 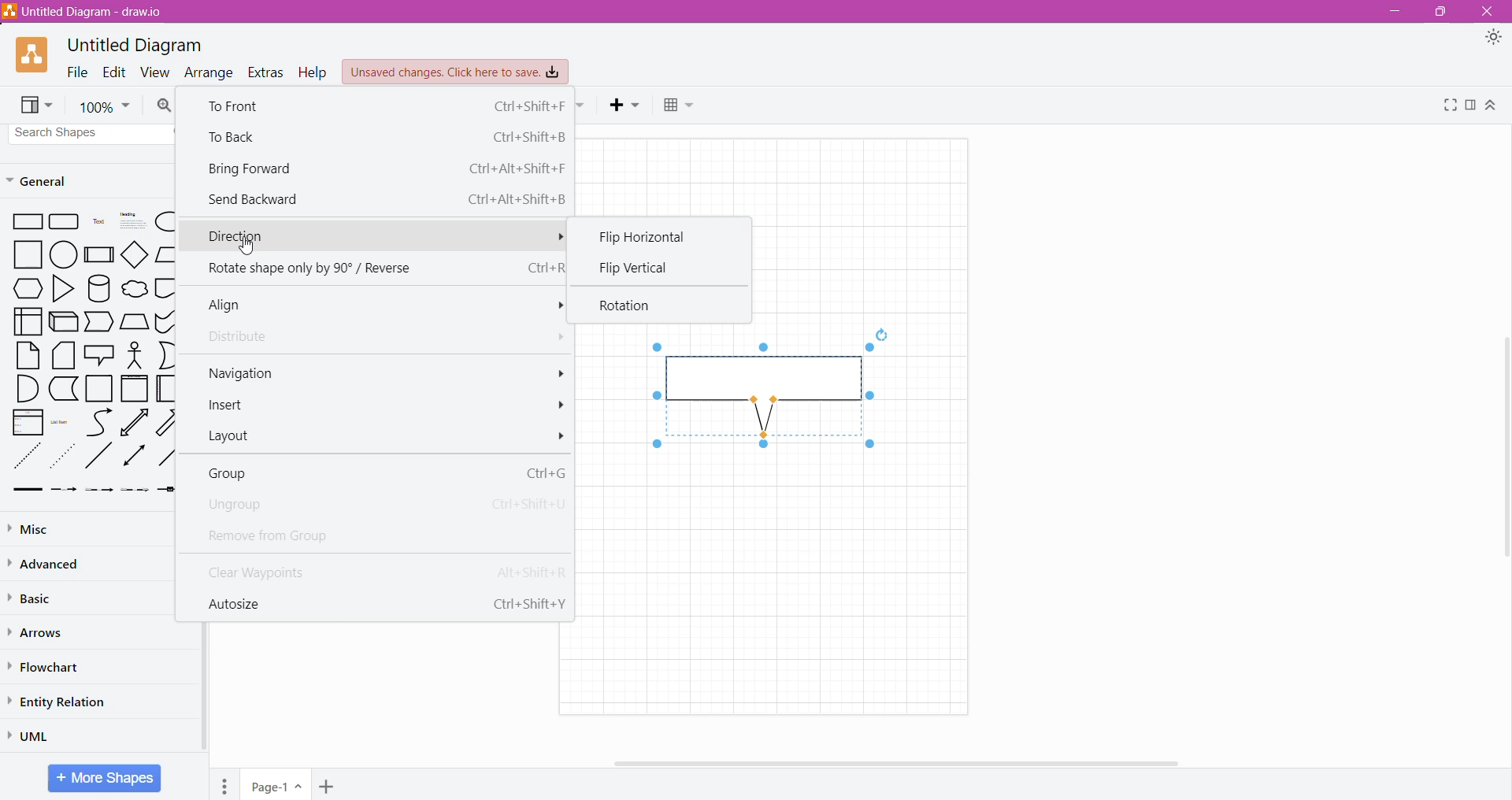 I want to click on grid rectangle, so click(x=65, y=223).